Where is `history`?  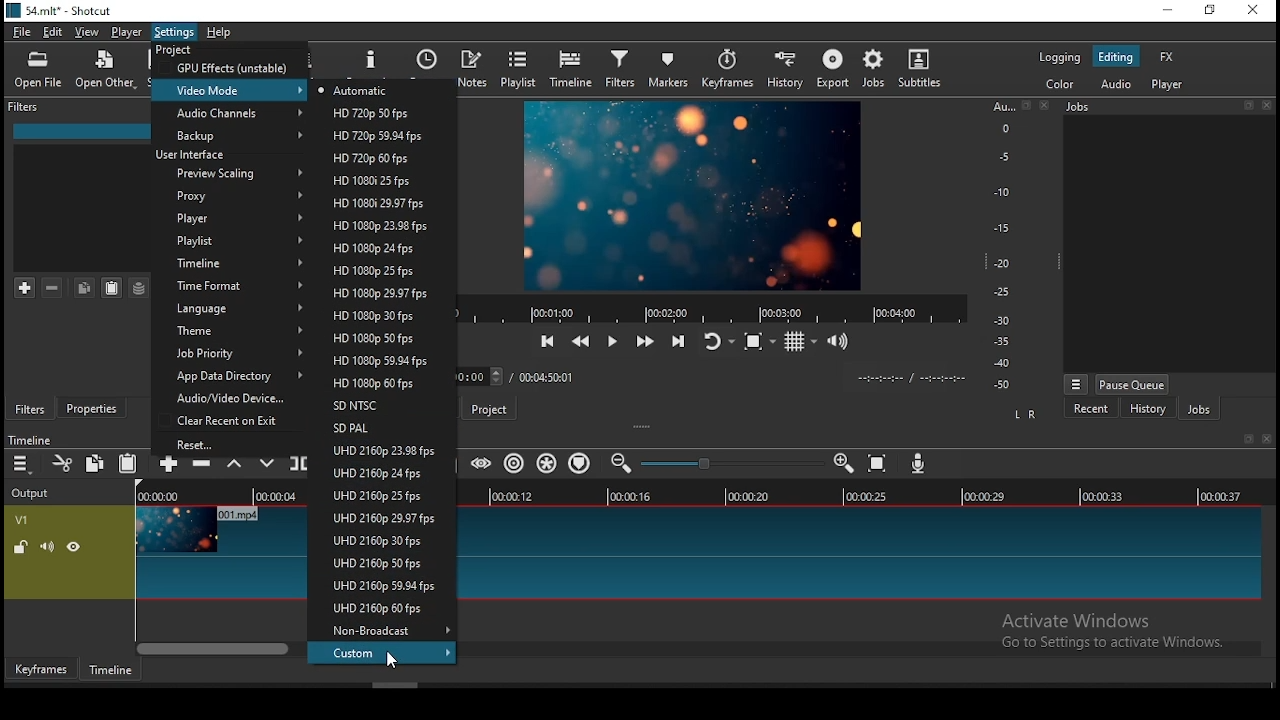
history is located at coordinates (781, 71).